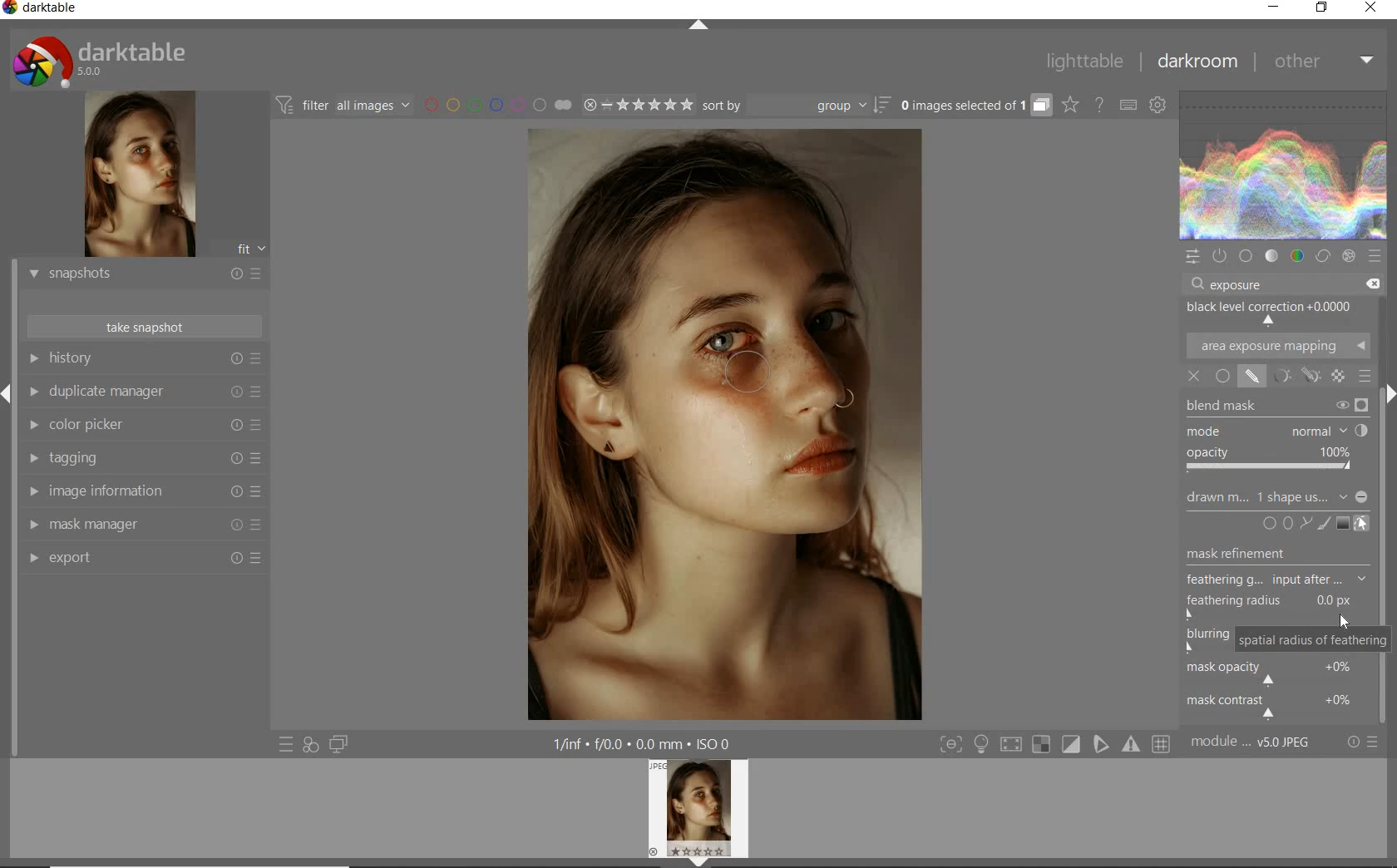 The width and height of the screenshot is (1397, 868). What do you see at coordinates (1127, 106) in the screenshot?
I see `set keyboard shortcuts` at bounding box center [1127, 106].